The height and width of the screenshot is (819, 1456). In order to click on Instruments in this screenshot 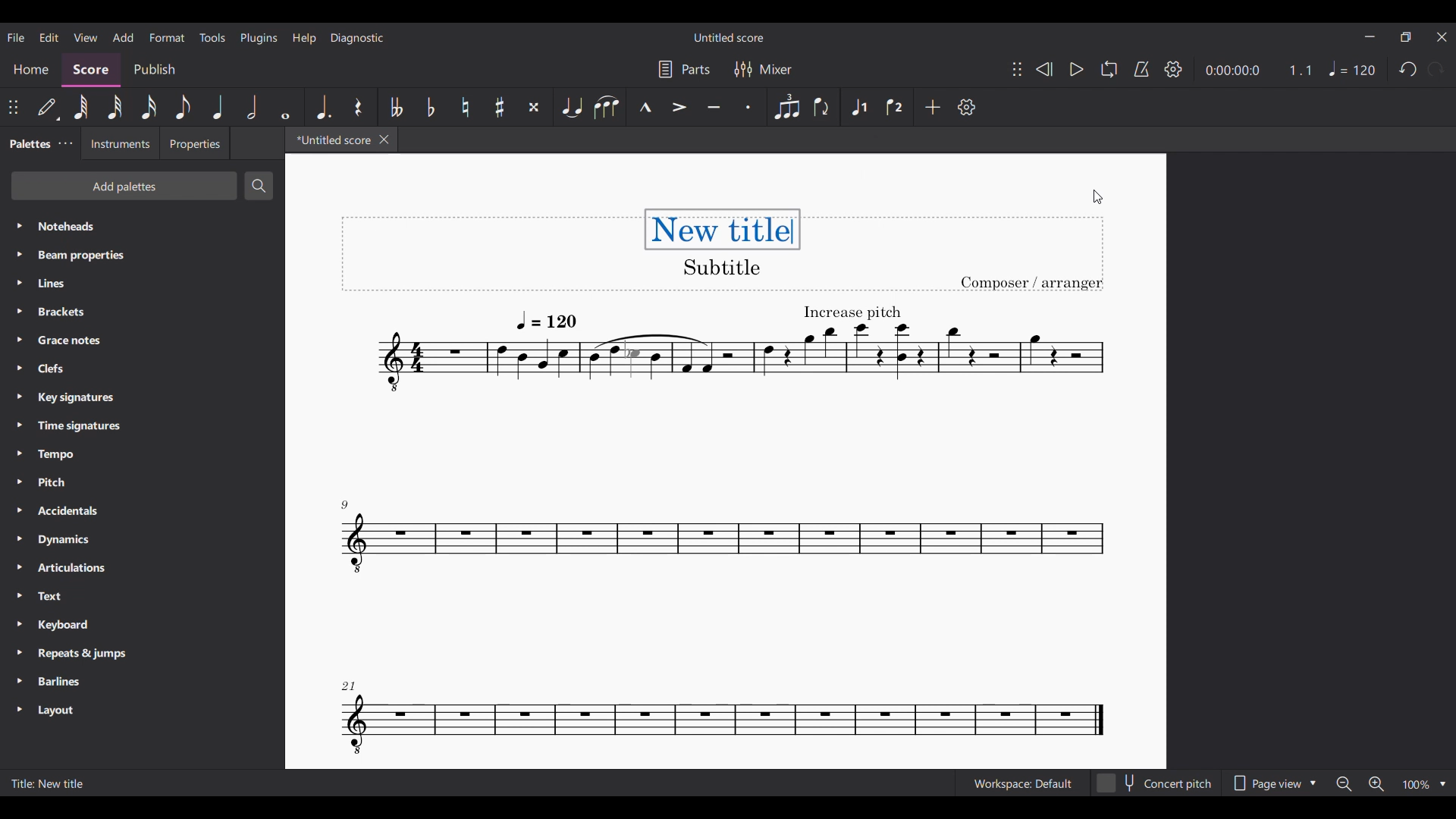, I will do `click(119, 143)`.